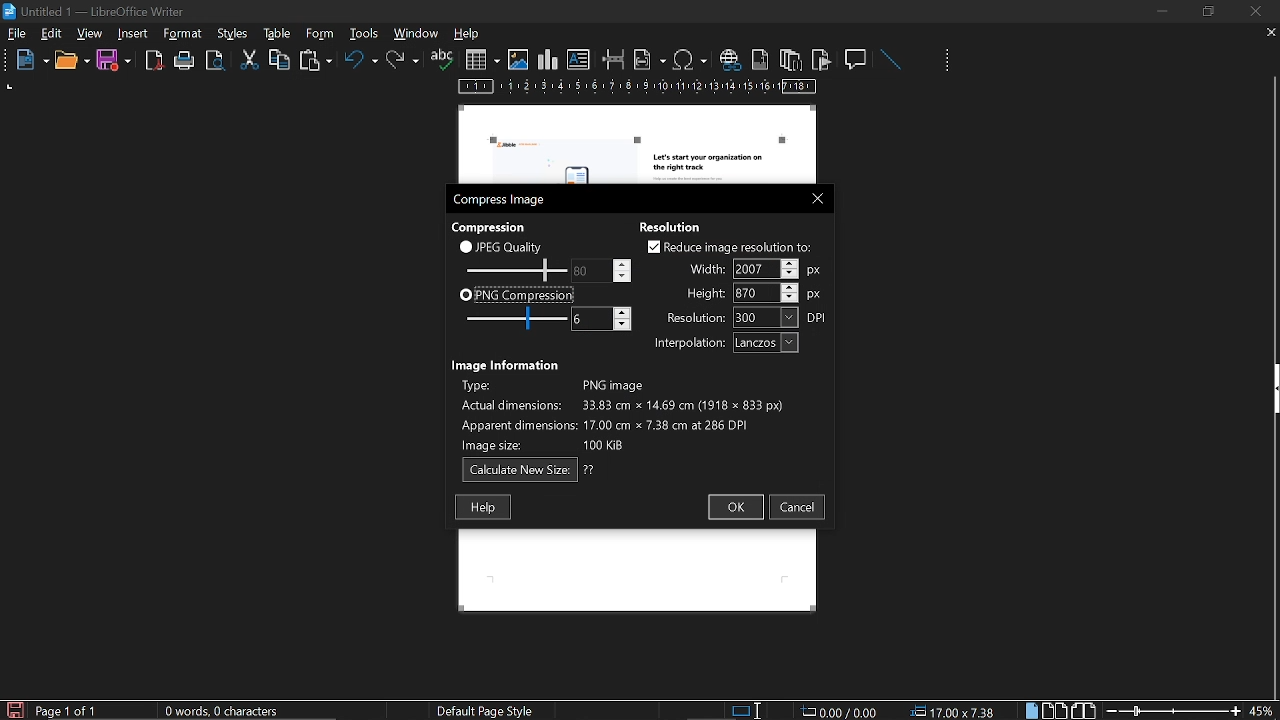 The width and height of the screenshot is (1280, 720). Describe the element at coordinates (614, 60) in the screenshot. I see `insert page break` at that location.